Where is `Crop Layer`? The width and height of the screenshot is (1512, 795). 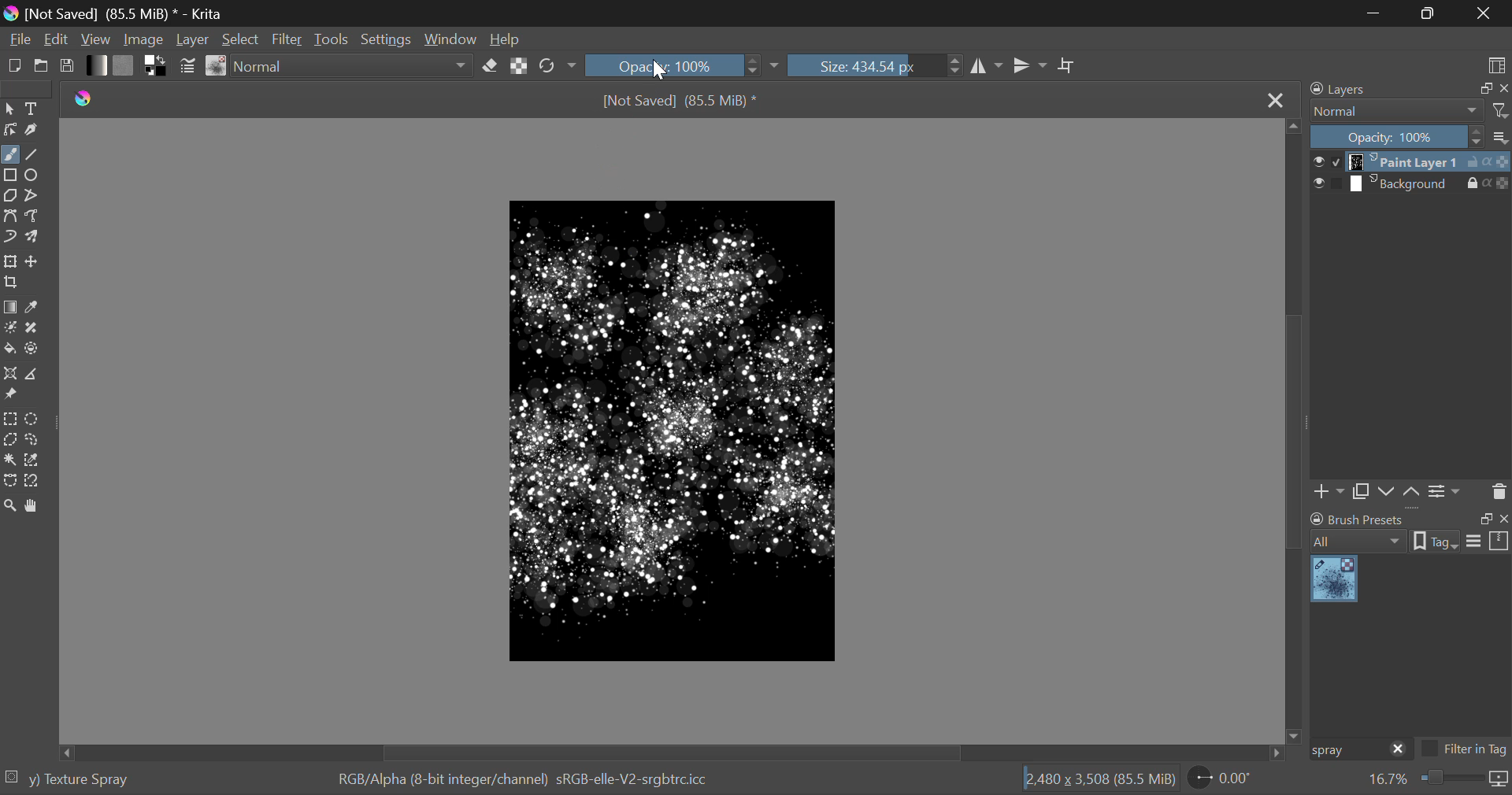 Crop Layer is located at coordinates (13, 283).